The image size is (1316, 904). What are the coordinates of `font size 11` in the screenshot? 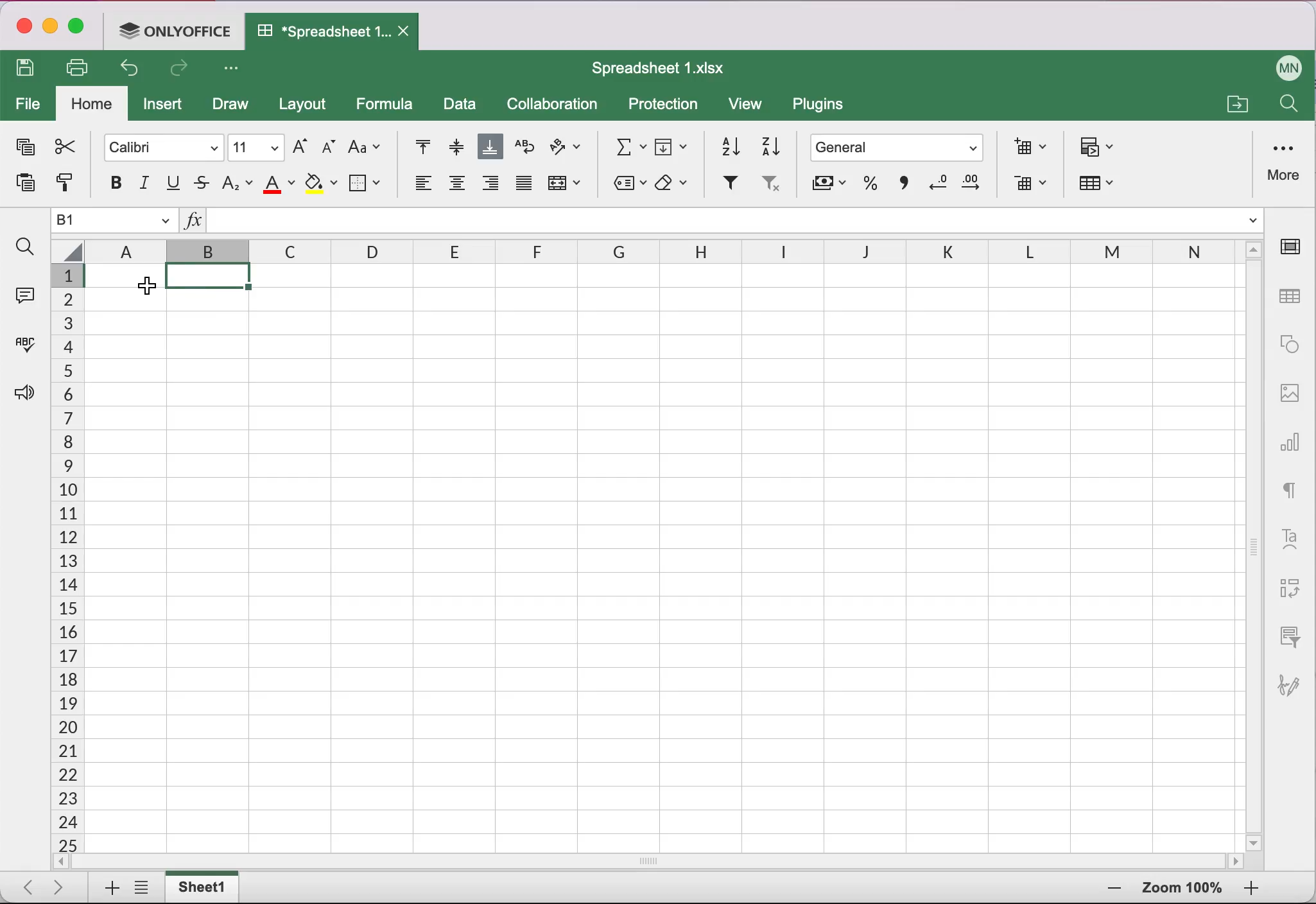 It's located at (257, 146).